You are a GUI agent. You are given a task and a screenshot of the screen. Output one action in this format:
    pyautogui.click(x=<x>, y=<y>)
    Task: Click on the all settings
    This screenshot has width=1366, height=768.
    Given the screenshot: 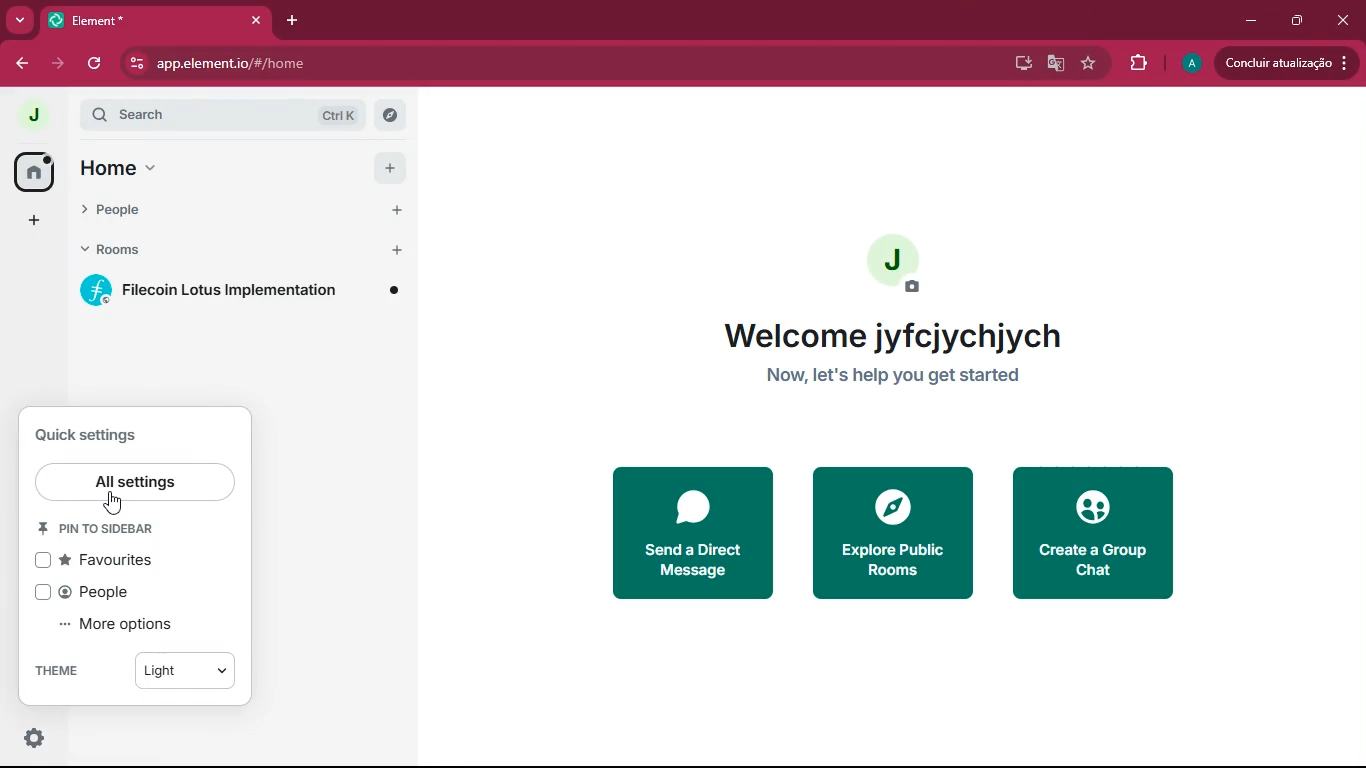 What is the action you would take?
    pyautogui.click(x=133, y=481)
    